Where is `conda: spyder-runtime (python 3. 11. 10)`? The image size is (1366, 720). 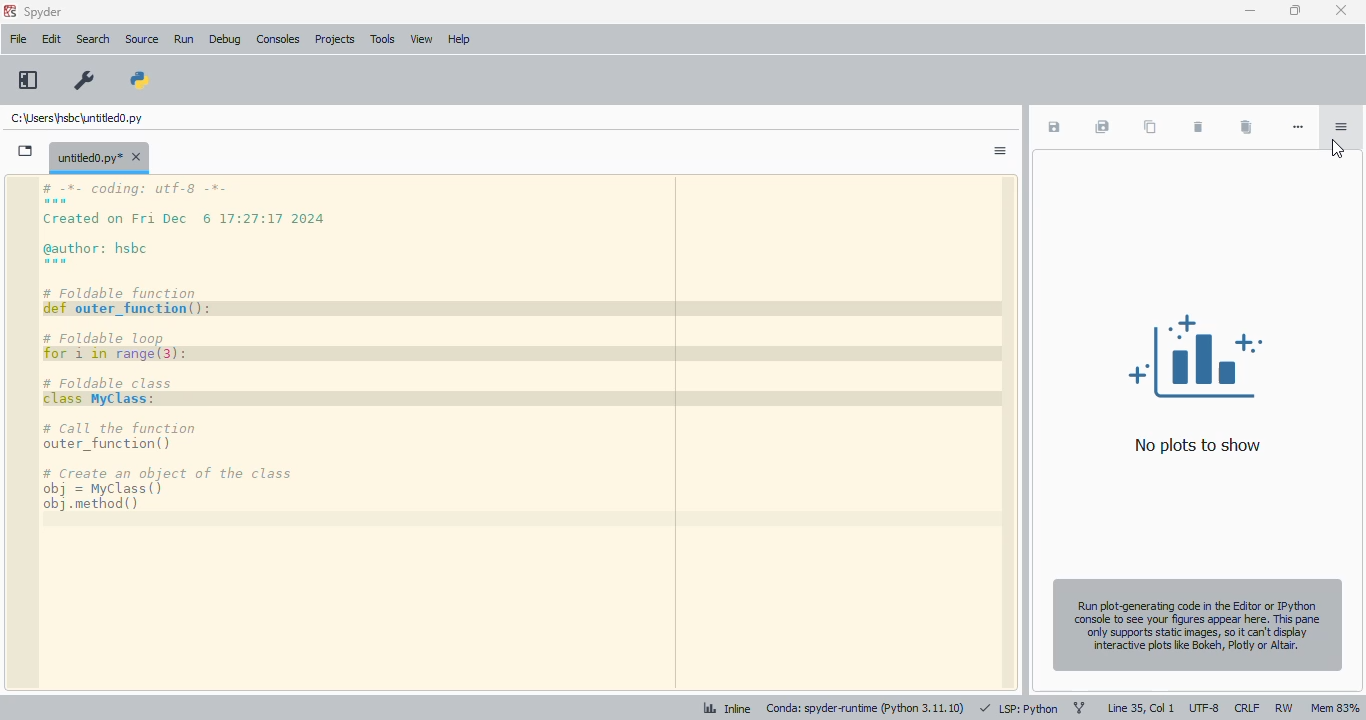
conda: spyder-runtime (python 3. 11. 10) is located at coordinates (866, 708).